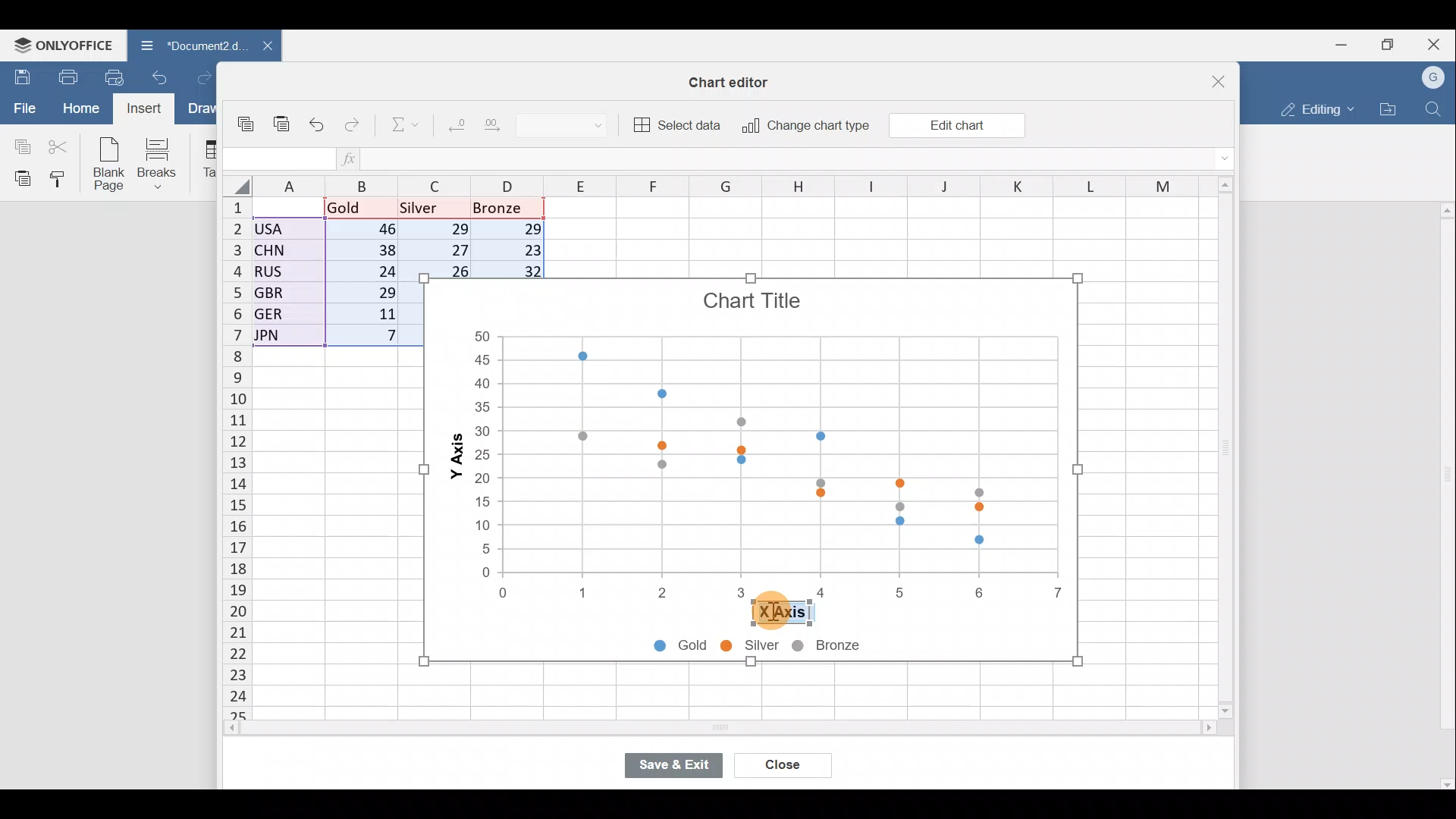 The image size is (1456, 819). Describe the element at coordinates (780, 612) in the screenshot. I see `x axis` at that location.